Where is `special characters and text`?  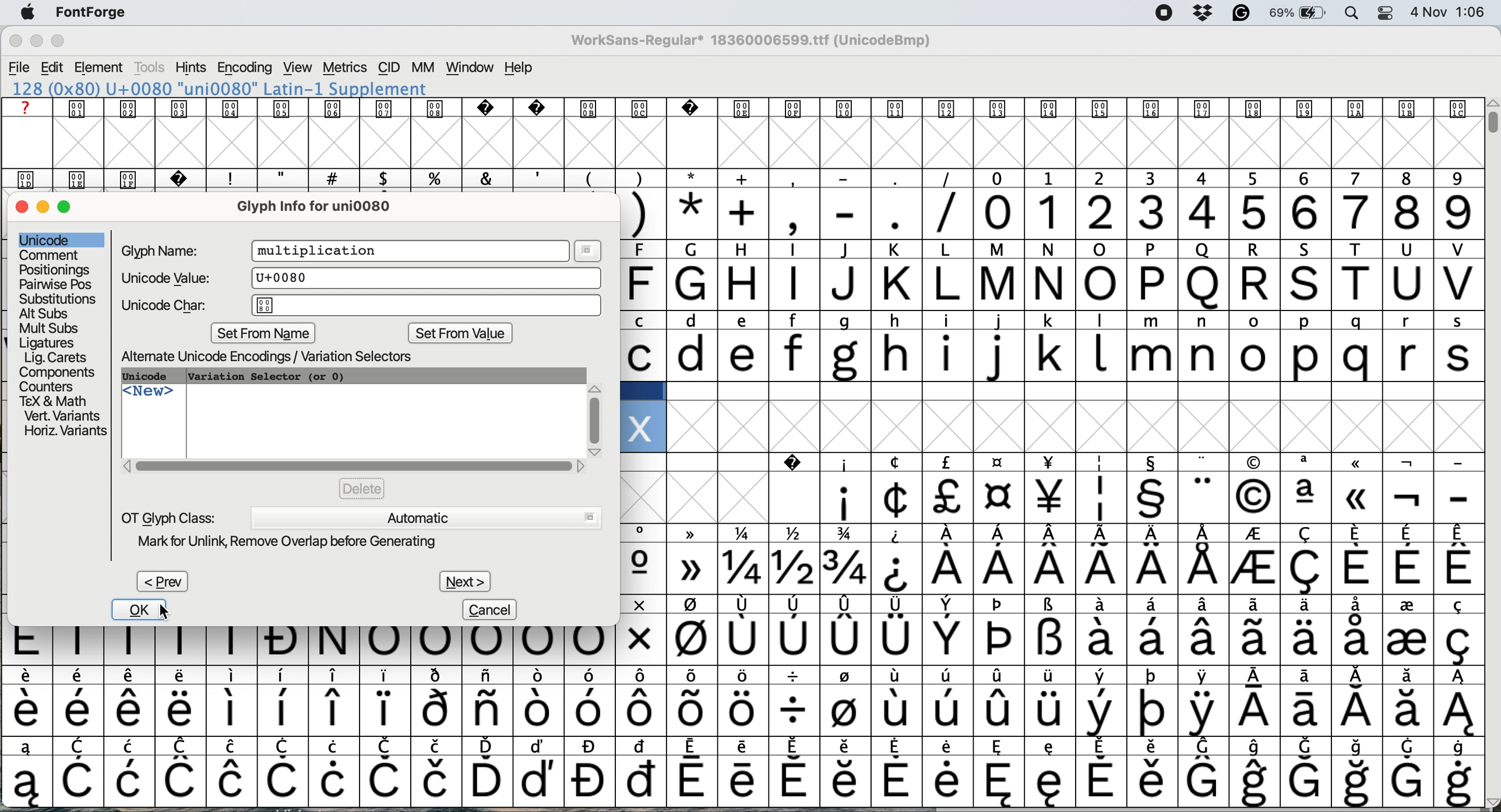
special characters and text is located at coordinates (747, 178).